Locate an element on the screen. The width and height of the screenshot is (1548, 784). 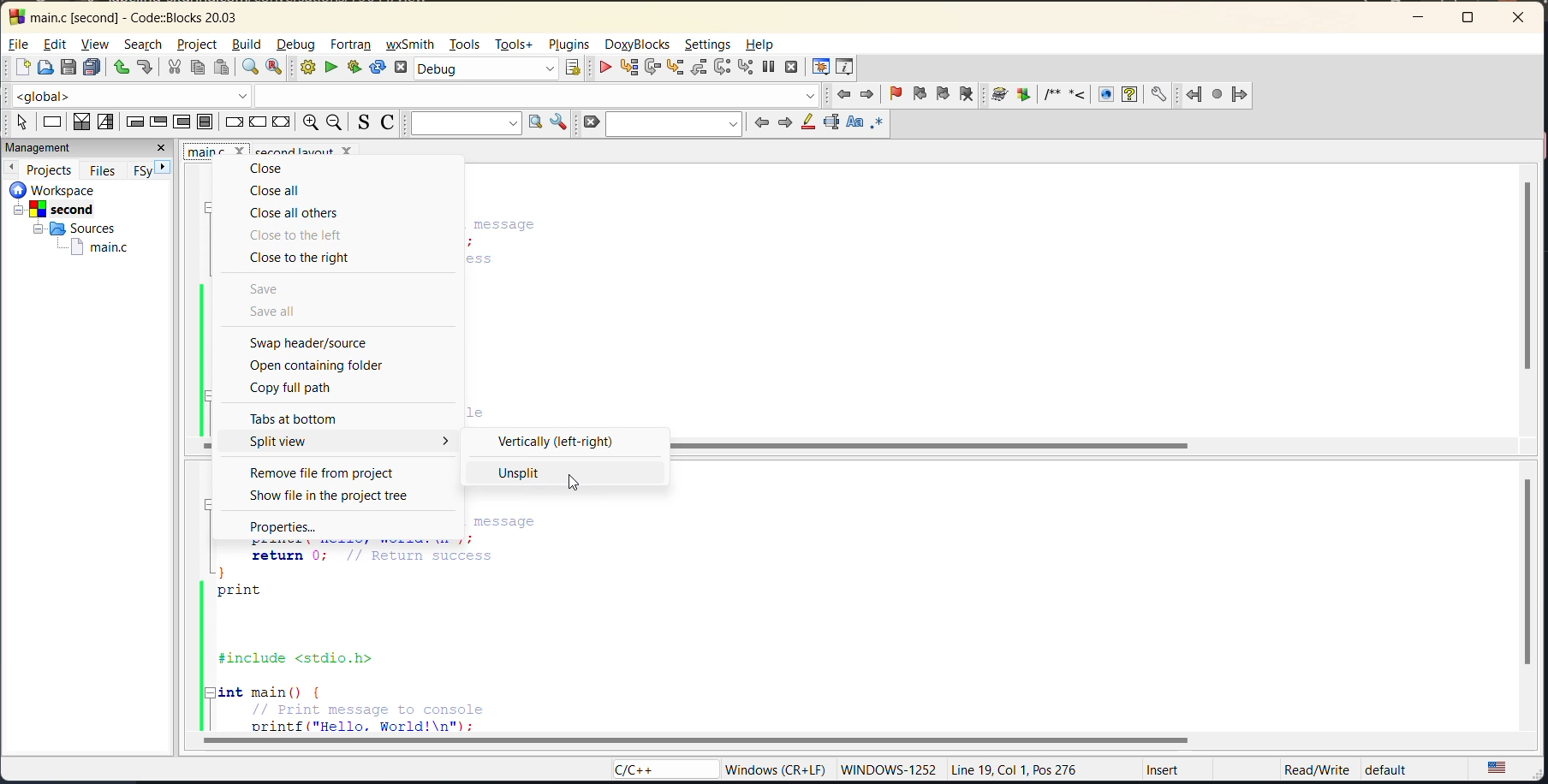
find is located at coordinates (247, 68).